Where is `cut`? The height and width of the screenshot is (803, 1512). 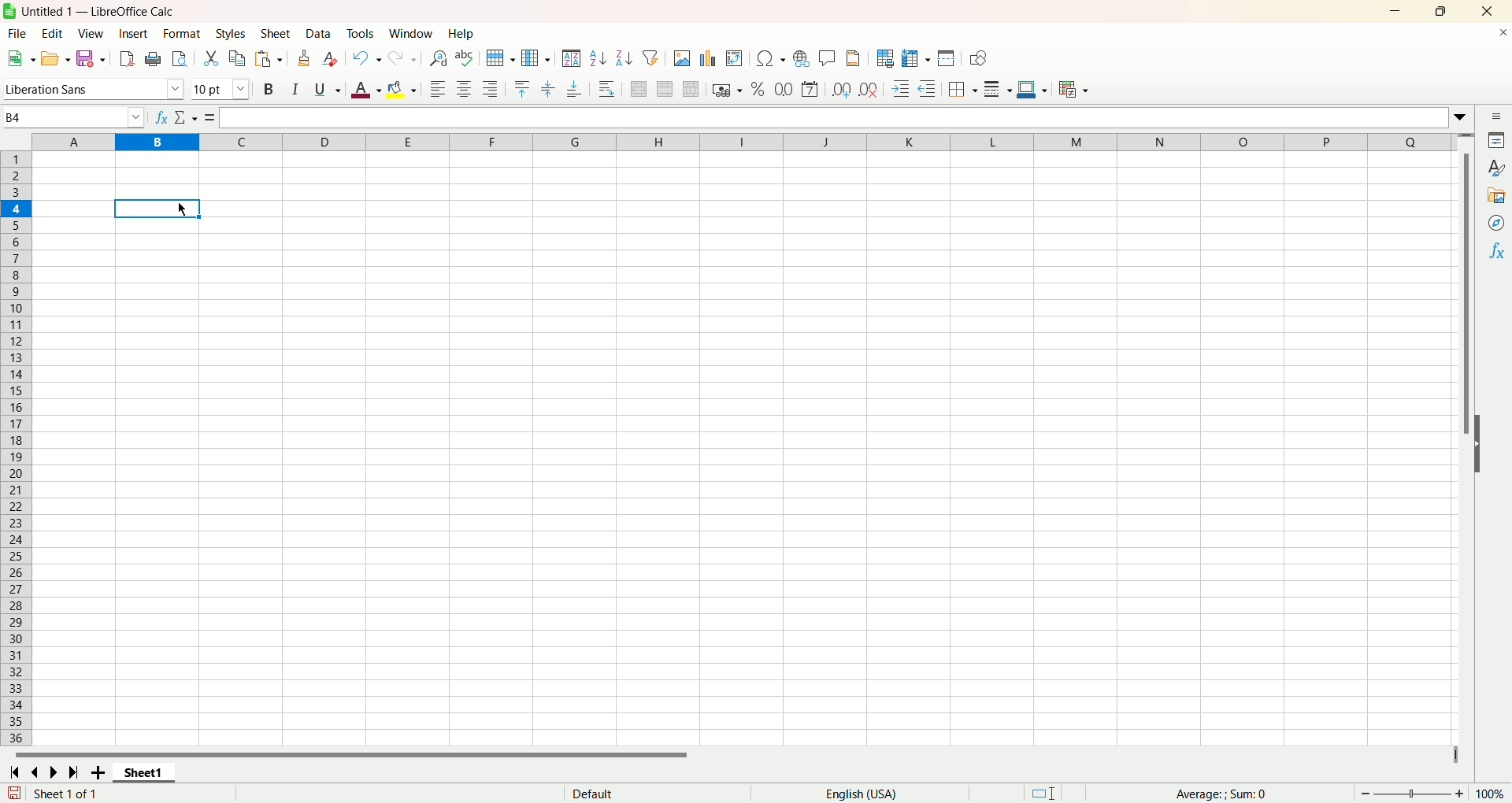 cut is located at coordinates (210, 57).